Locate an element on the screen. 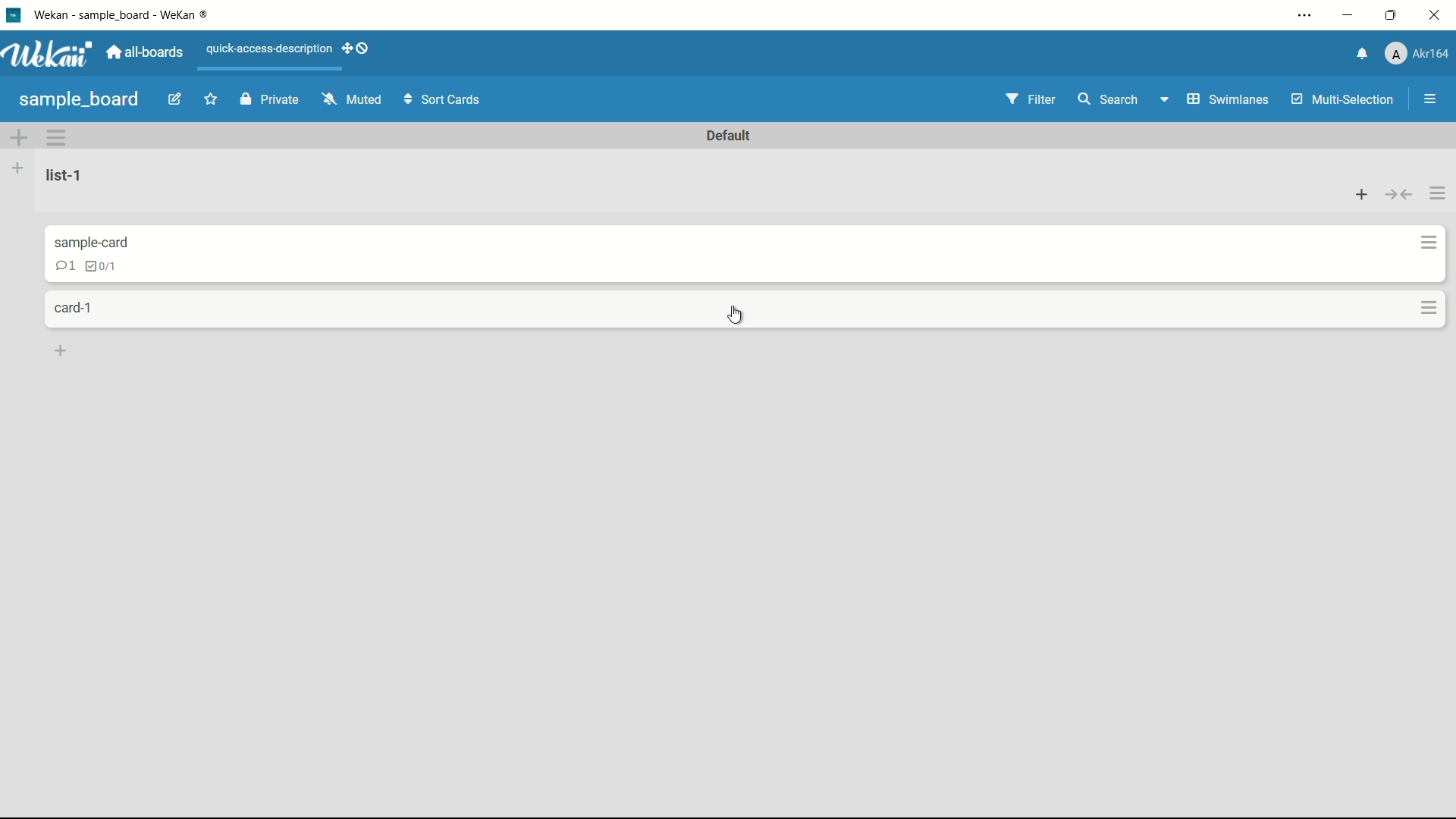 Image resolution: width=1456 pixels, height=819 pixels. minimize is located at coordinates (1348, 16).